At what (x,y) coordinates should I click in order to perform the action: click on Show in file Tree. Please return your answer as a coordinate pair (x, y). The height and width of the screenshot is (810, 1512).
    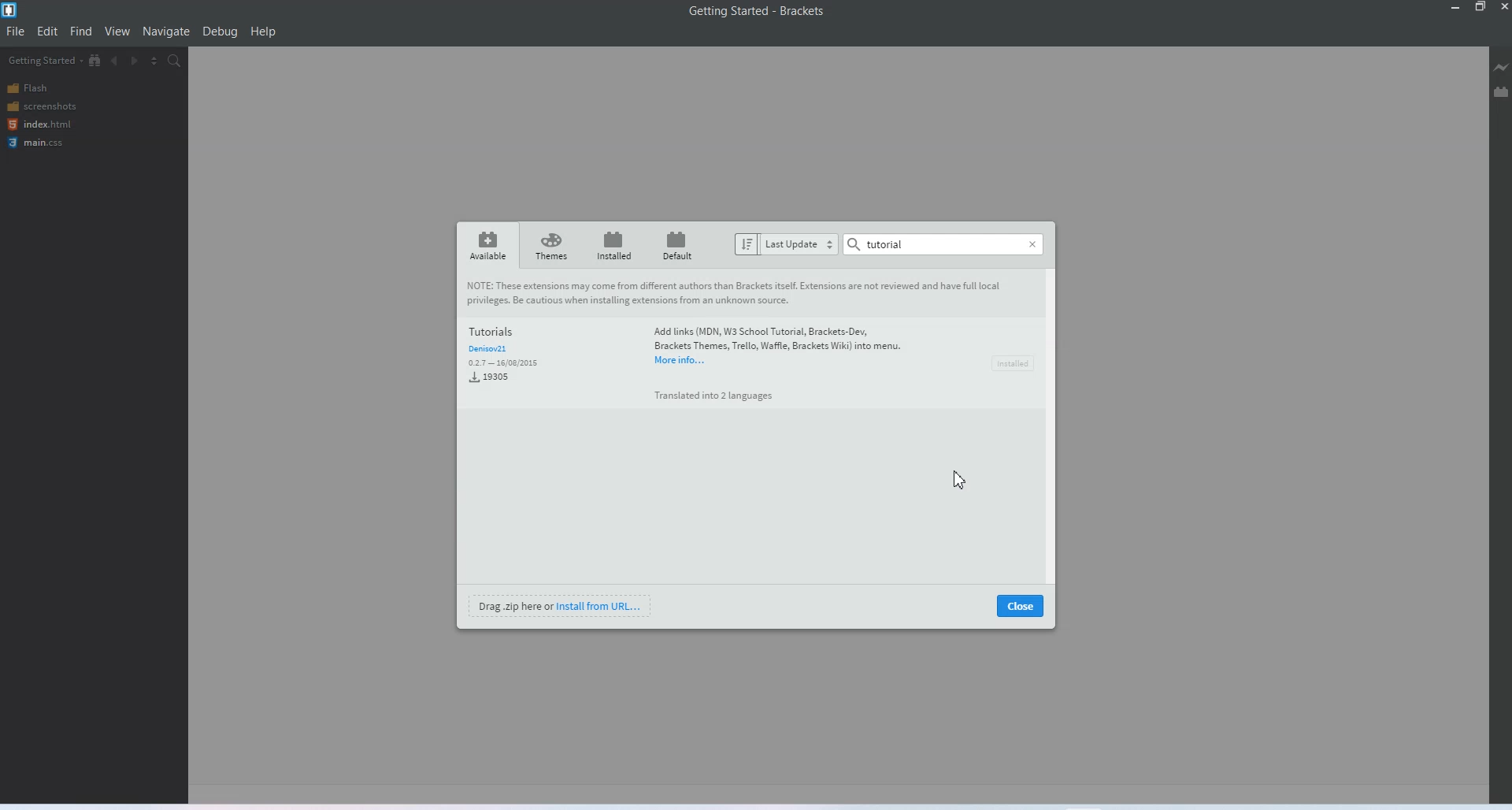
    Looking at the image, I should click on (96, 61).